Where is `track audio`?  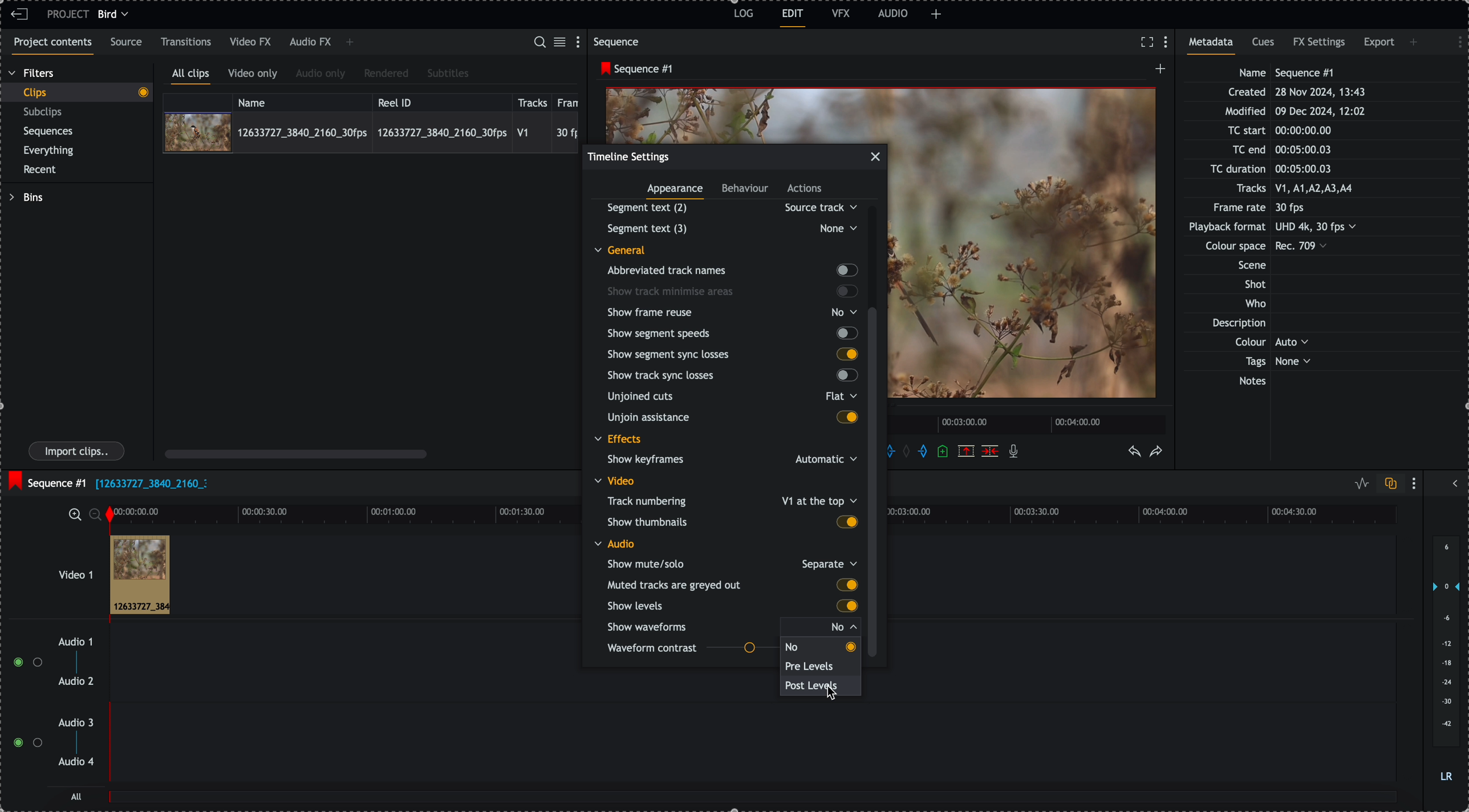
track audio is located at coordinates (752, 749).